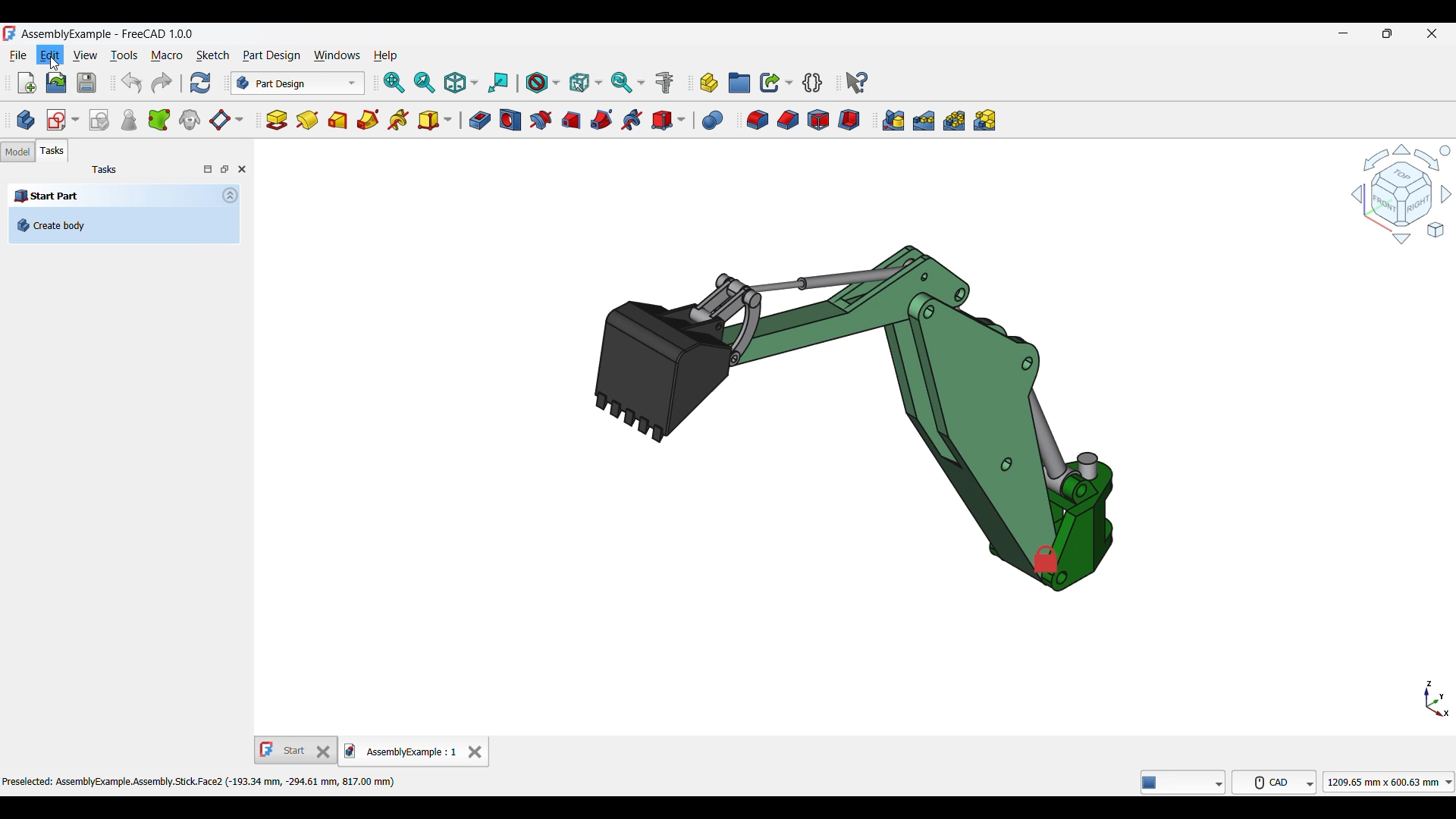 The width and height of the screenshot is (1456, 819). What do you see at coordinates (632, 121) in the screenshot?
I see `Subtractive helix` at bounding box center [632, 121].